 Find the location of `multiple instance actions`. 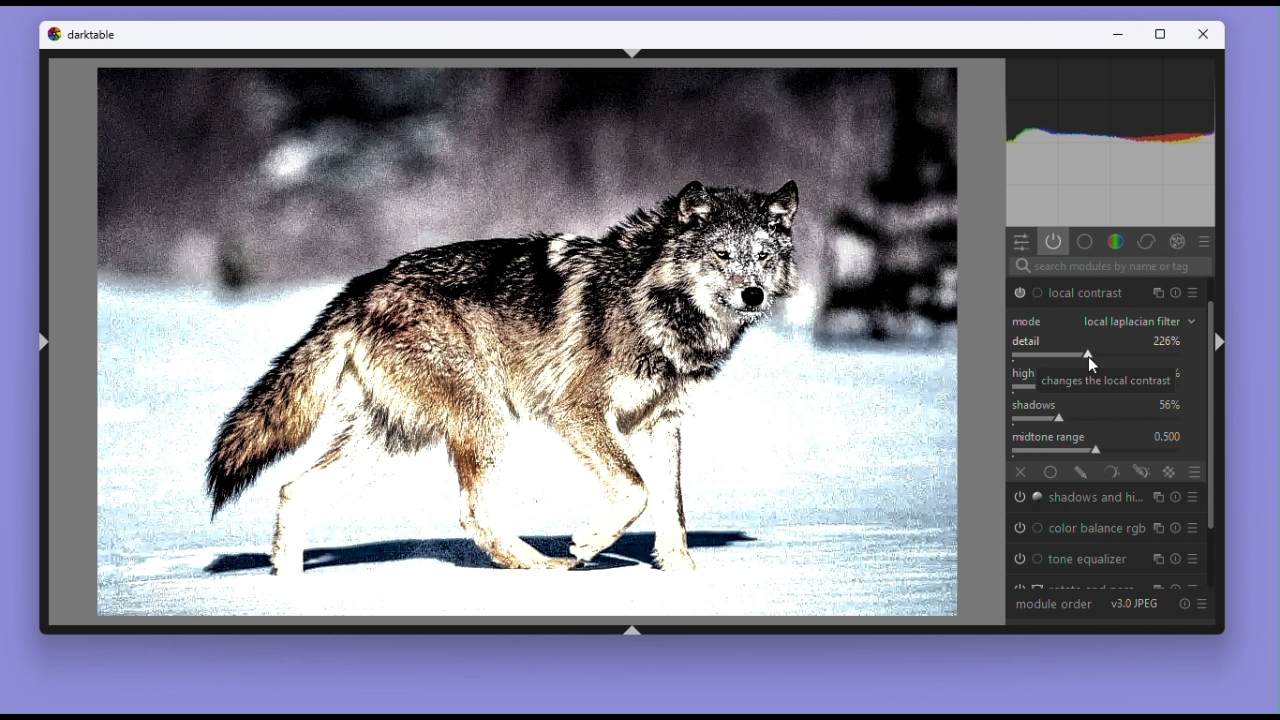

multiple instance actions is located at coordinates (1156, 560).